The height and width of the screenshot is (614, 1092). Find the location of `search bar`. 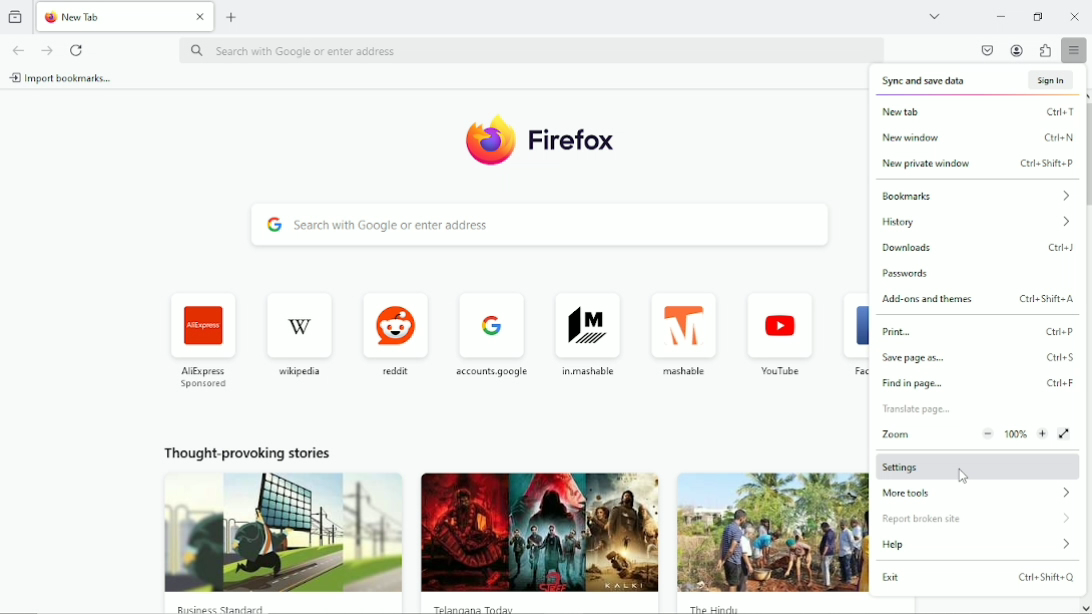

search bar is located at coordinates (534, 49).